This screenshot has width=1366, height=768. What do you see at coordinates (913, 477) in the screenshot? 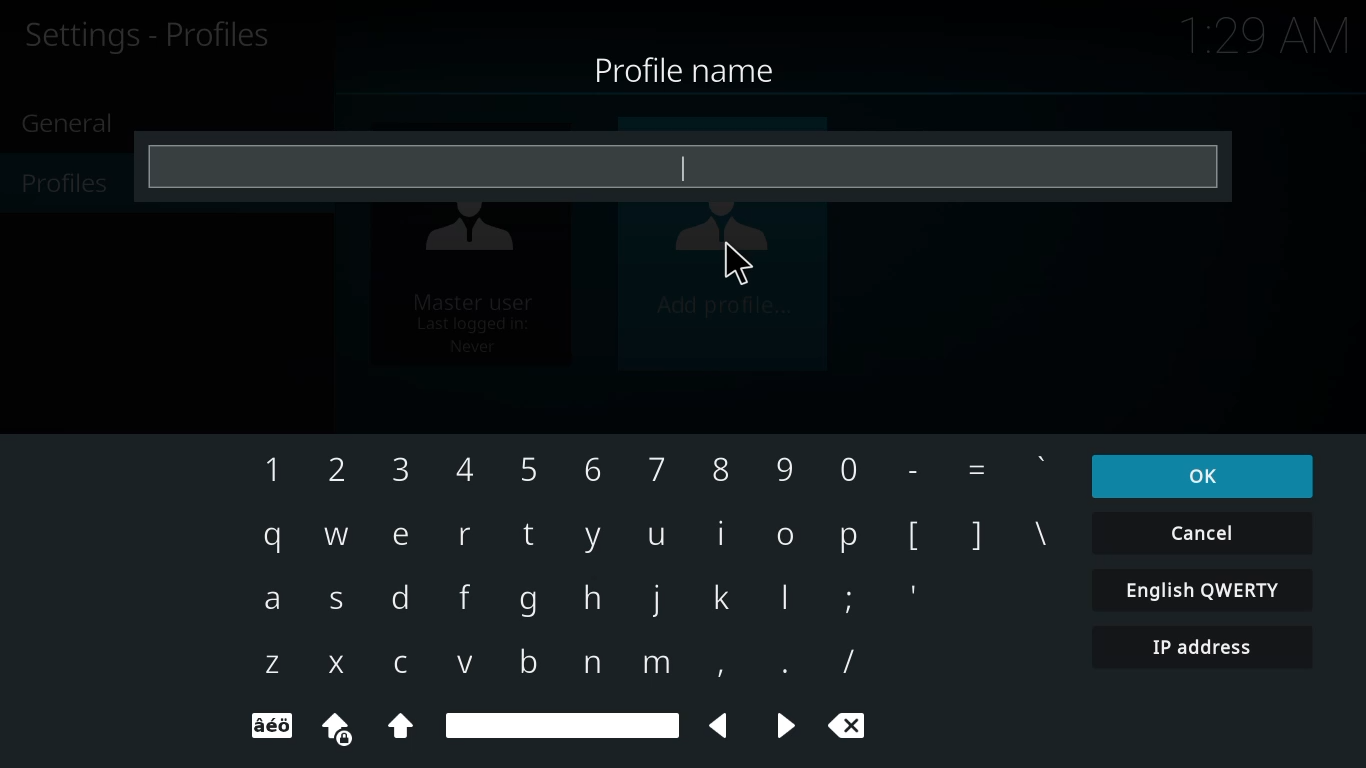
I see `-` at bounding box center [913, 477].